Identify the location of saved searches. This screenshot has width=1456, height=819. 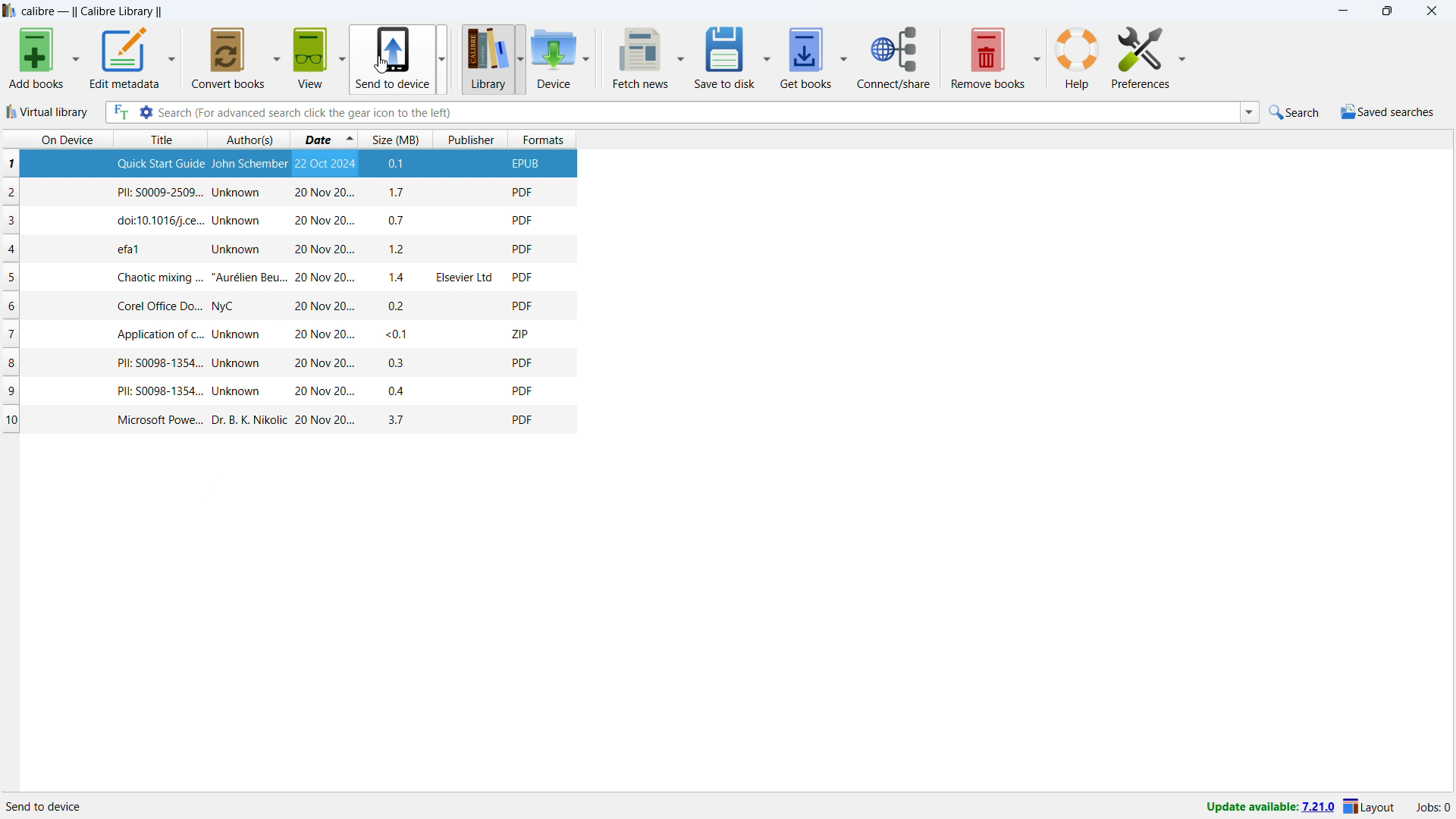
(1388, 112).